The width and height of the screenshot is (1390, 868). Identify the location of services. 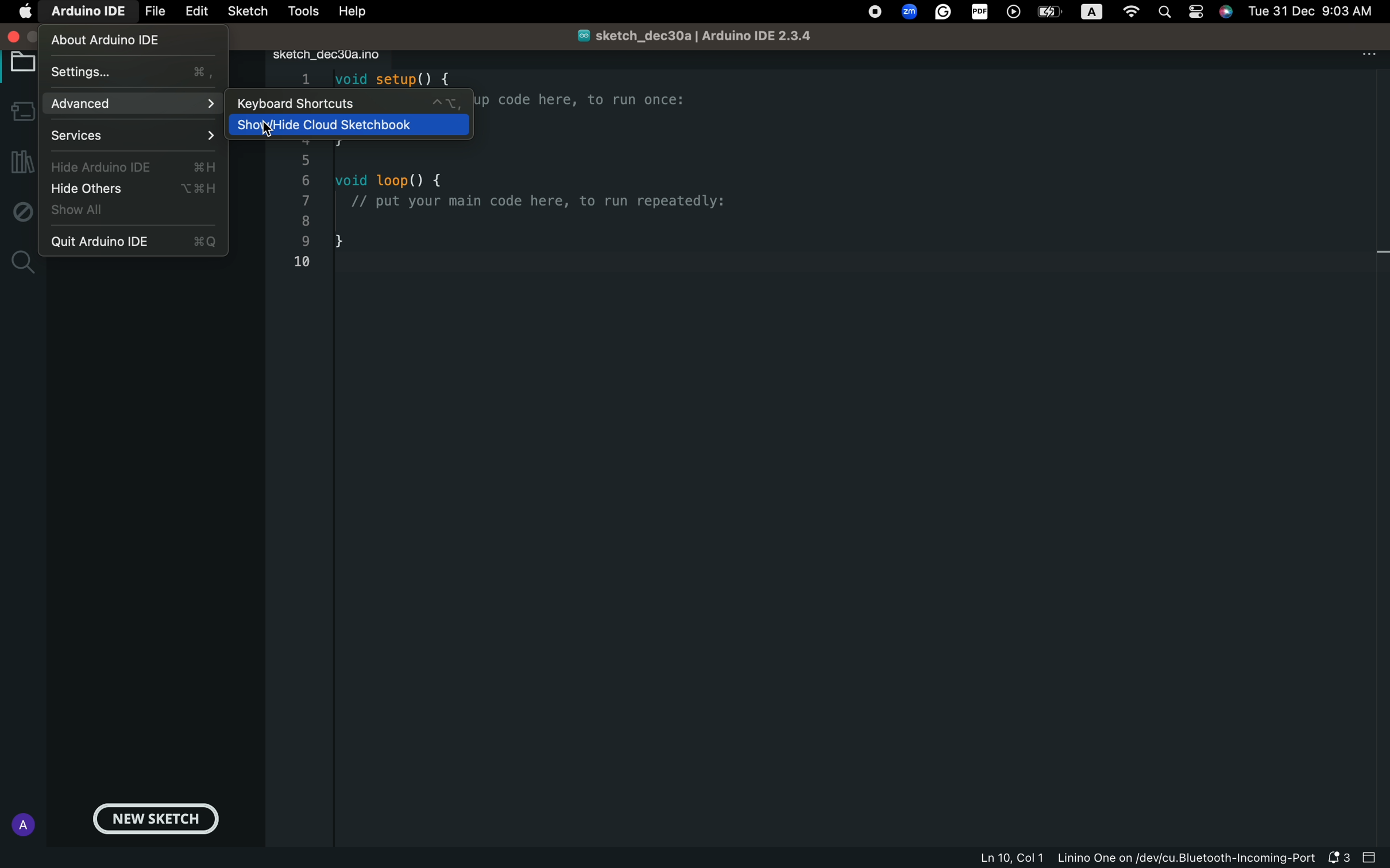
(135, 134).